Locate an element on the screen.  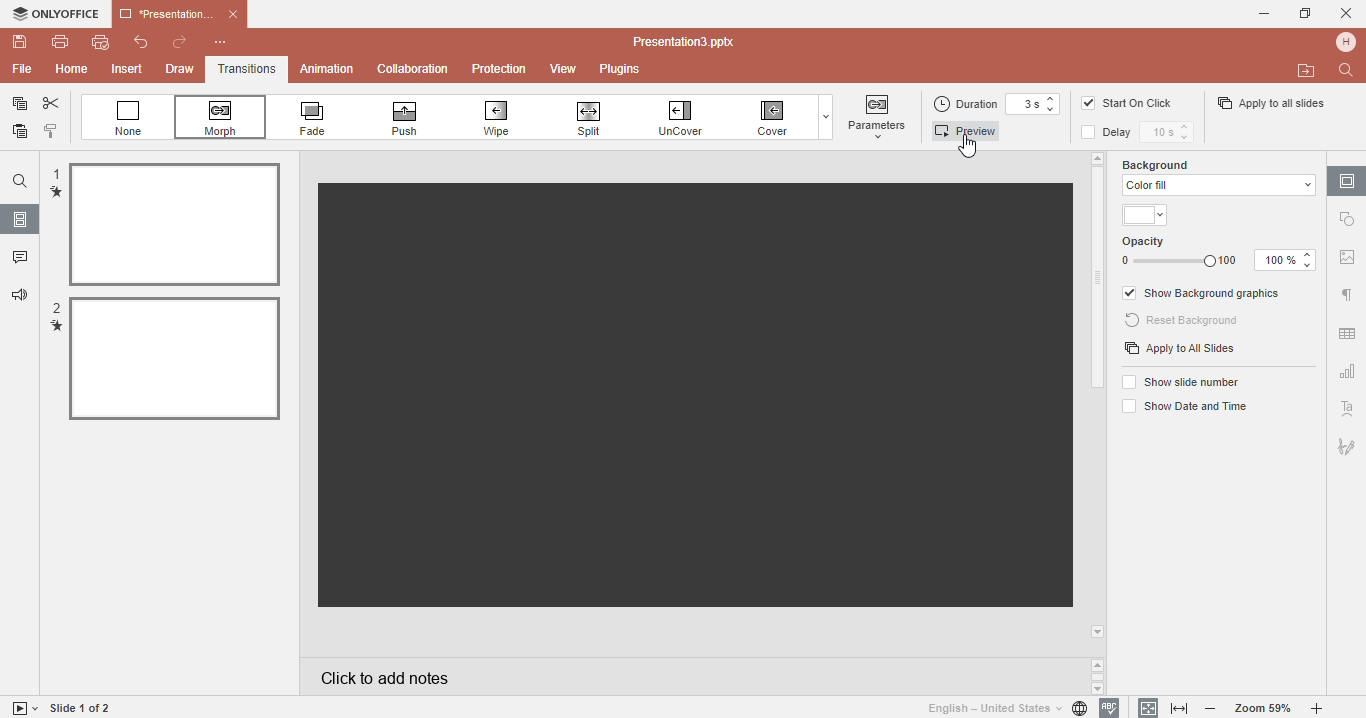
Background is located at coordinates (1172, 163).